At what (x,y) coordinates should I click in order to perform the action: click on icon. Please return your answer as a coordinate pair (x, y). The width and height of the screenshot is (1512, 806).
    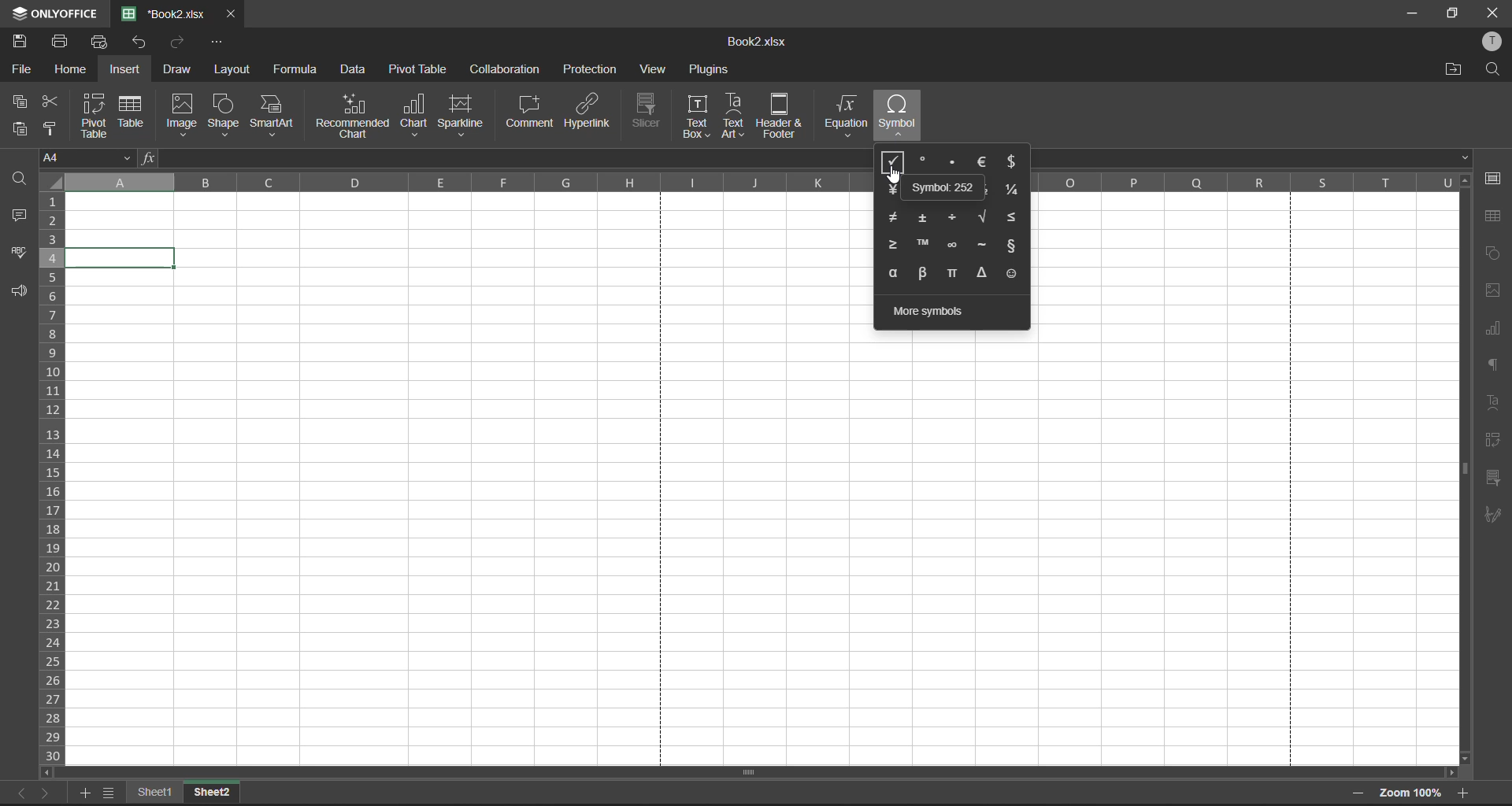
    Looking at the image, I should click on (17, 14).